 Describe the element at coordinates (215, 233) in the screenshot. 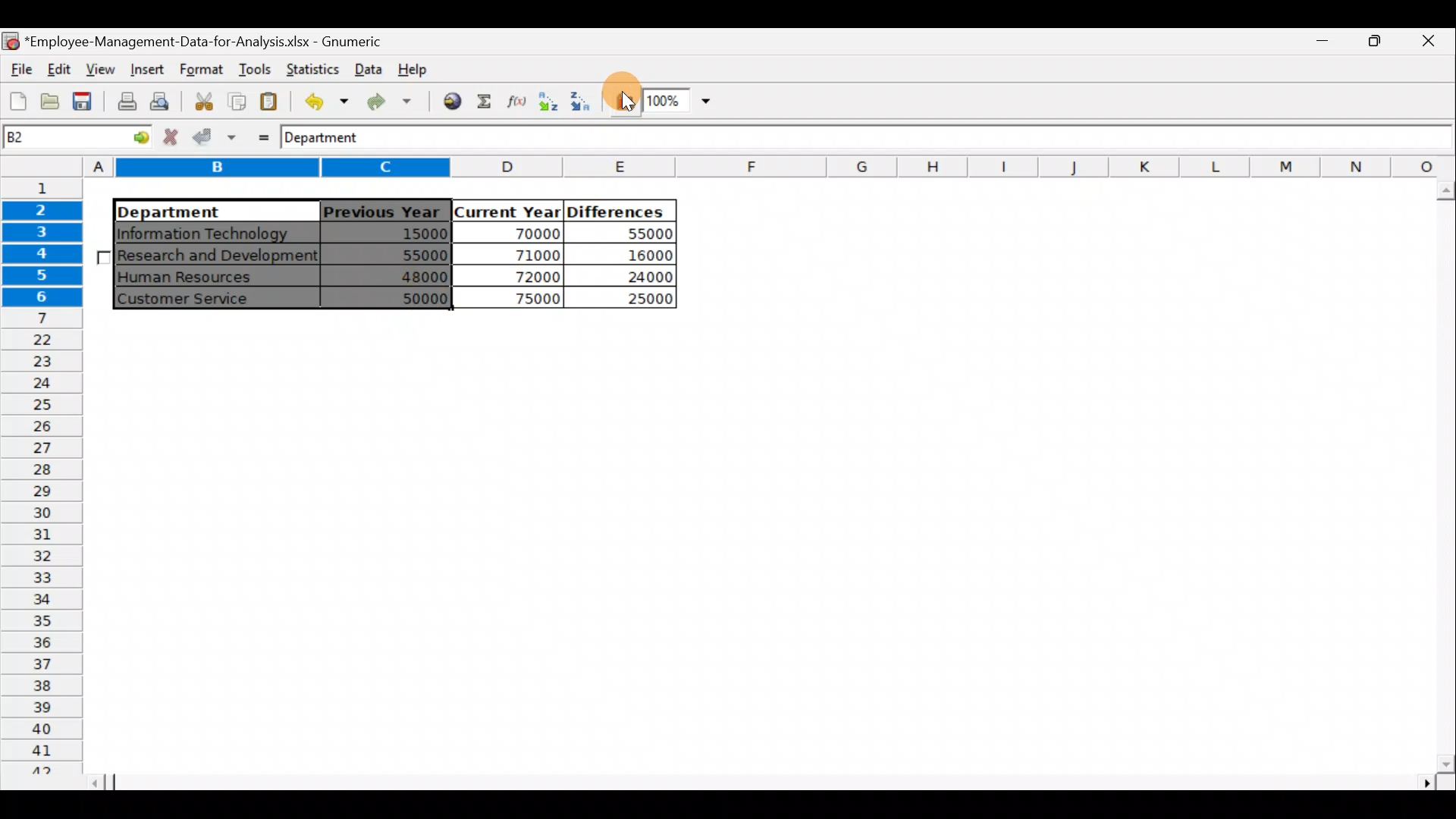

I see `|Information Technology` at that location.